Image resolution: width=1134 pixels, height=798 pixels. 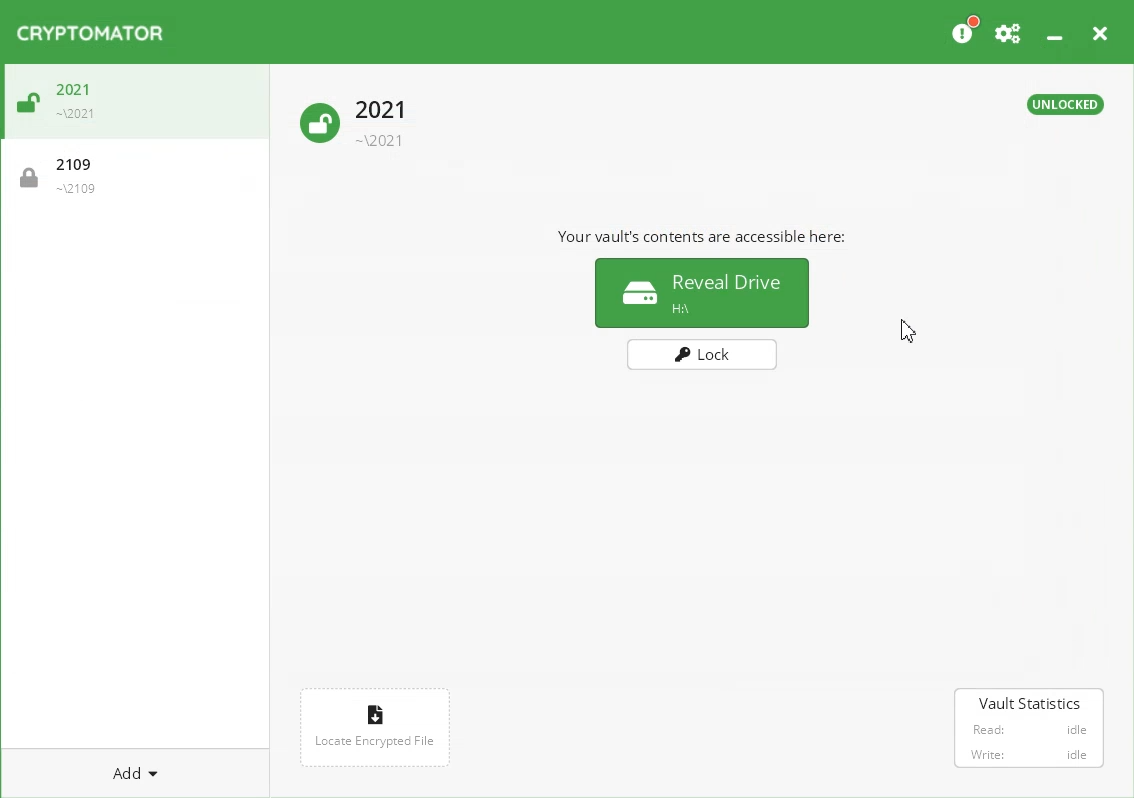 What do you see at coordinates (702, 292) in the screenshot?
I see `Reveal Drive` at bounding box center [702, 292].